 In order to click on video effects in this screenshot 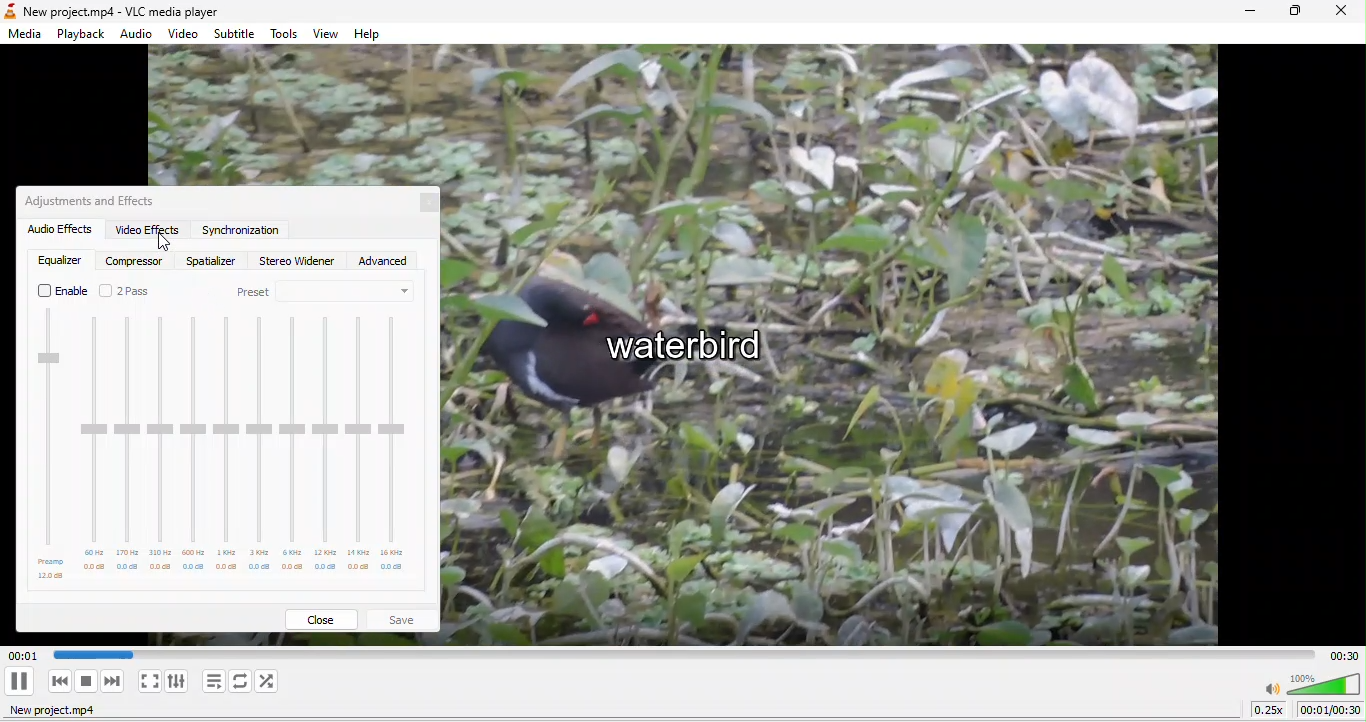, I will do `click(149, 229)`.